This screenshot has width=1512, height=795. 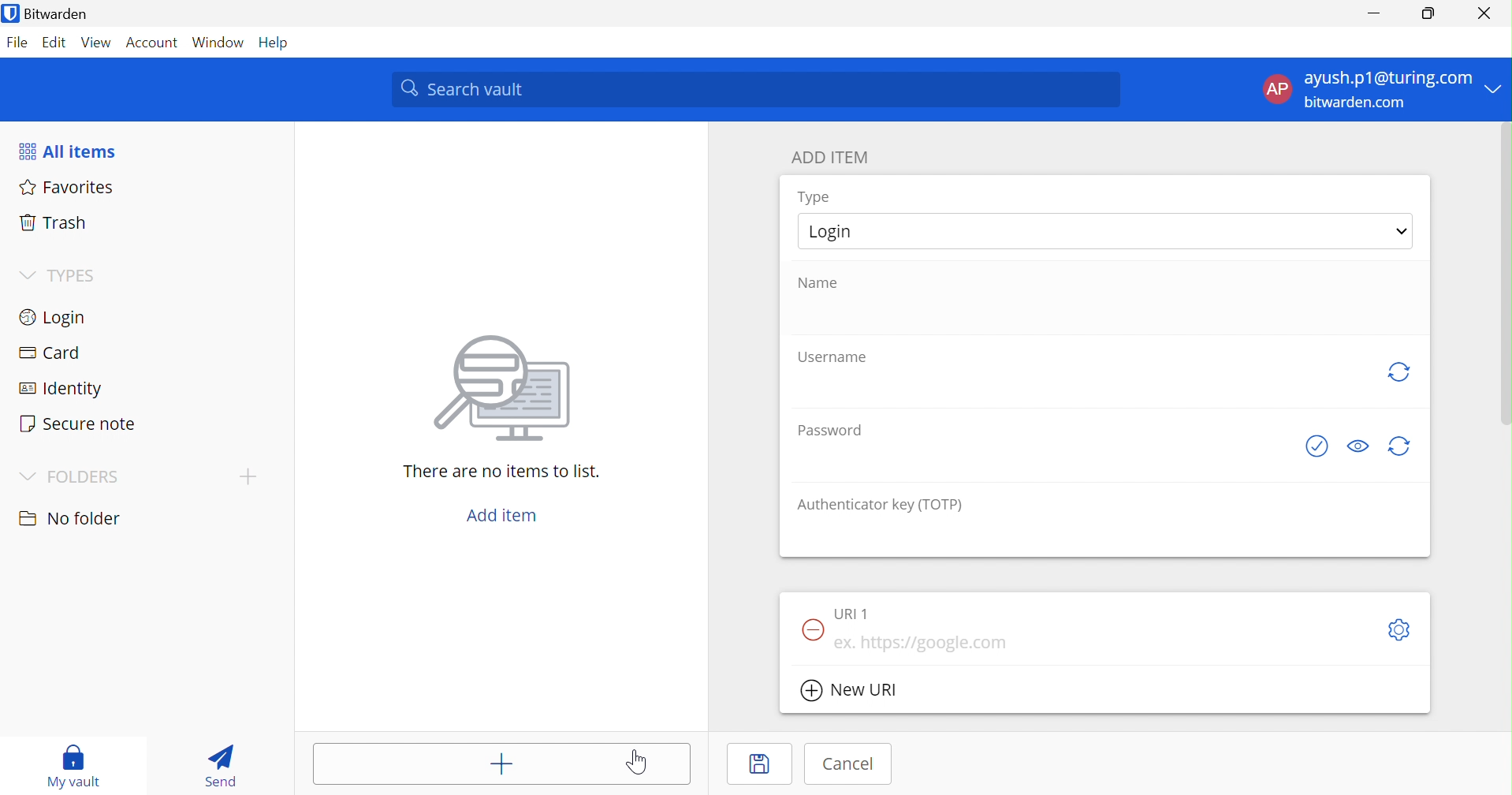 I want to click on Secure note, so click(x=80, y=426).